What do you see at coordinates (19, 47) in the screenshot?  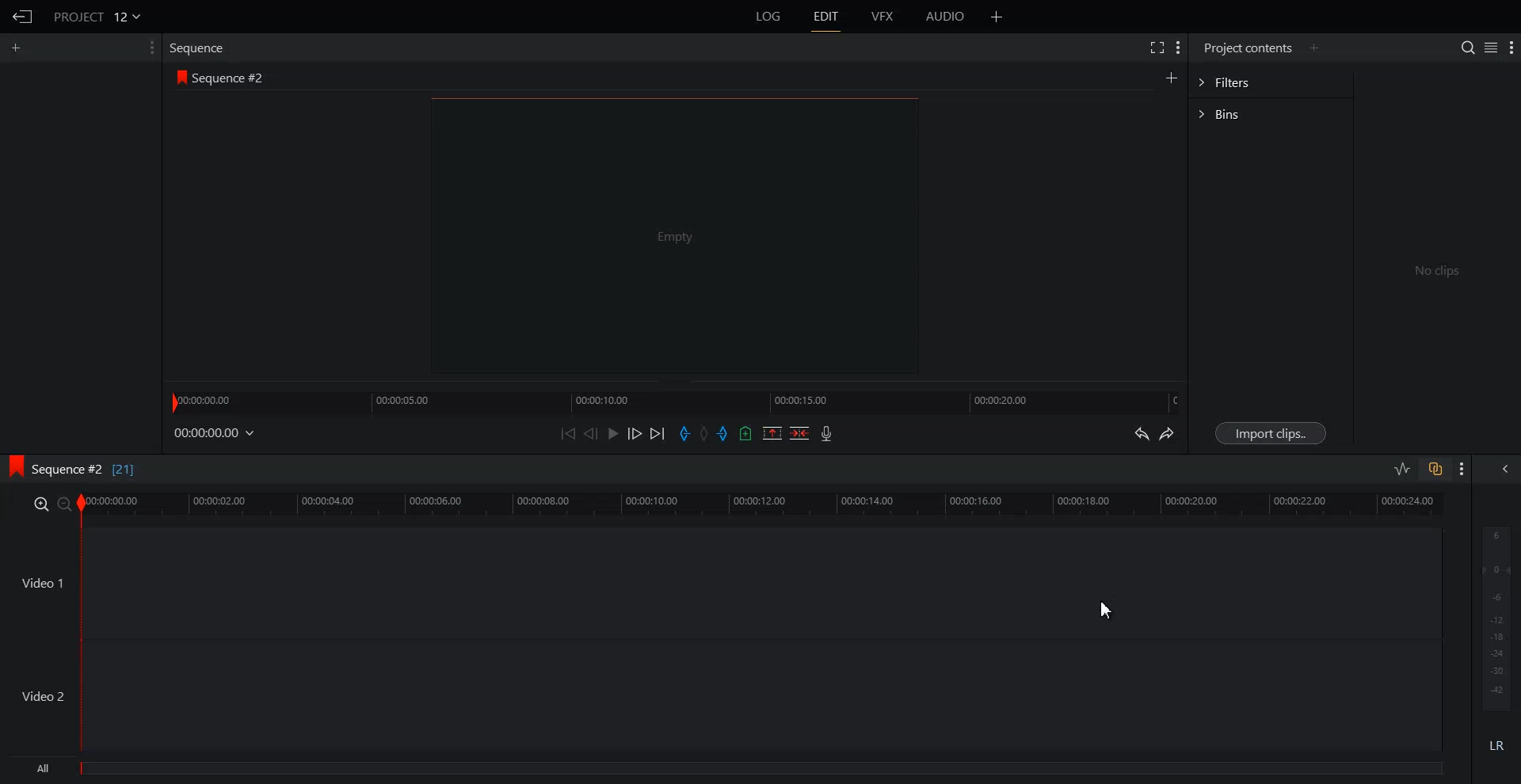 I see `Add Panel` at bounding box center [19, 47].